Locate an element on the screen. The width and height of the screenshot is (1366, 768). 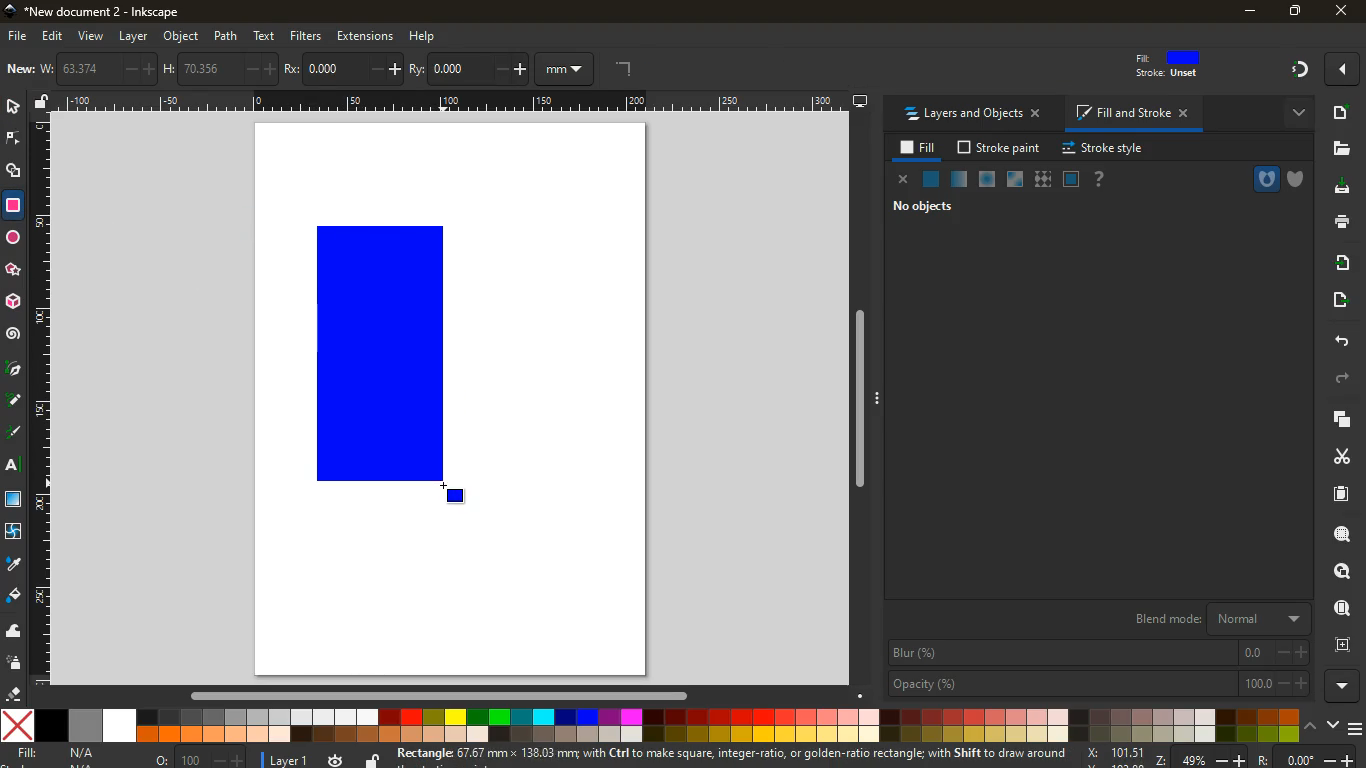
send is located at coordinates (1336, 301).